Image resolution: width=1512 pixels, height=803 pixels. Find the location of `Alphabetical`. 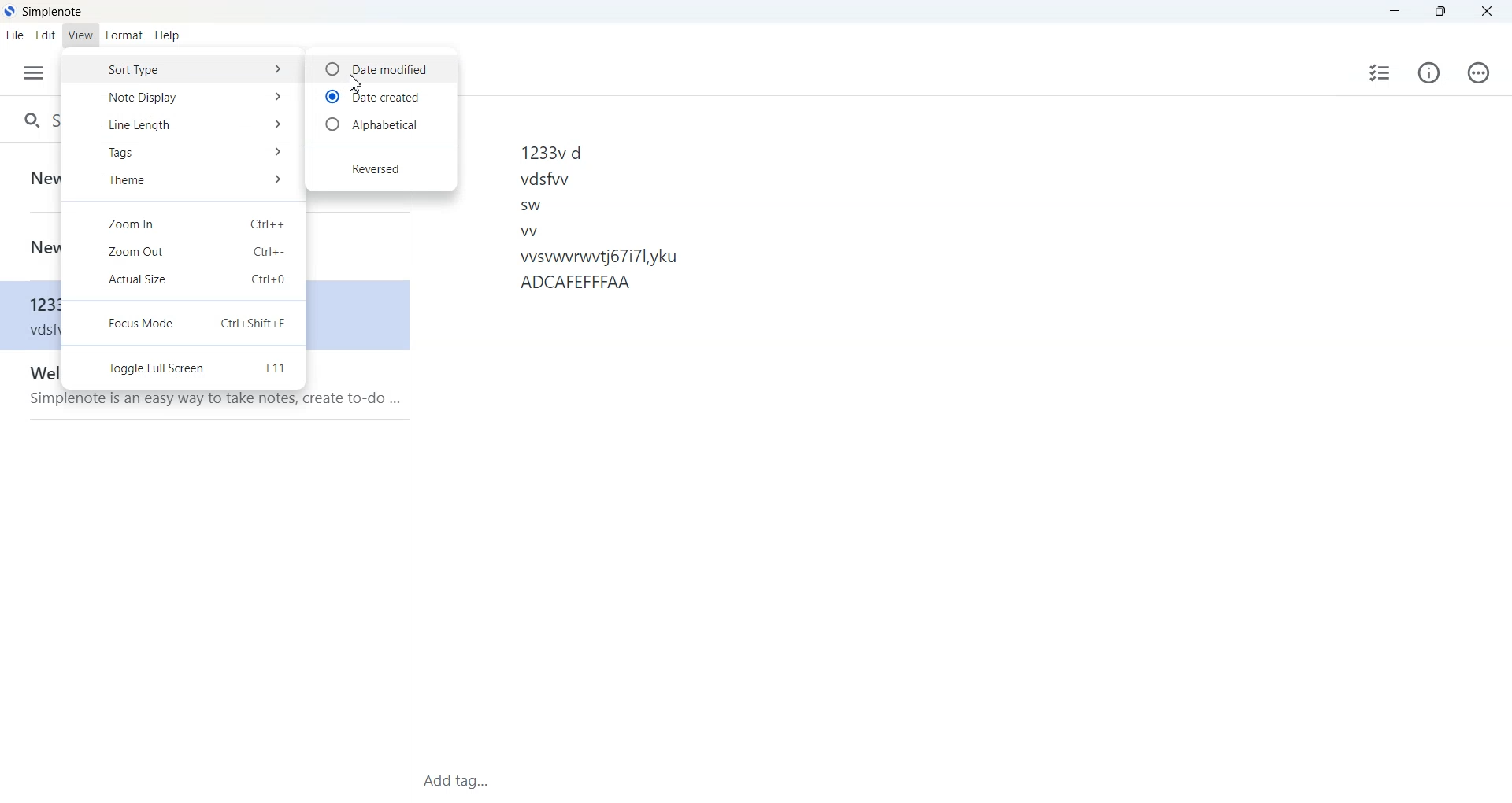

Alphabetical is located at coordinates (380, 125).